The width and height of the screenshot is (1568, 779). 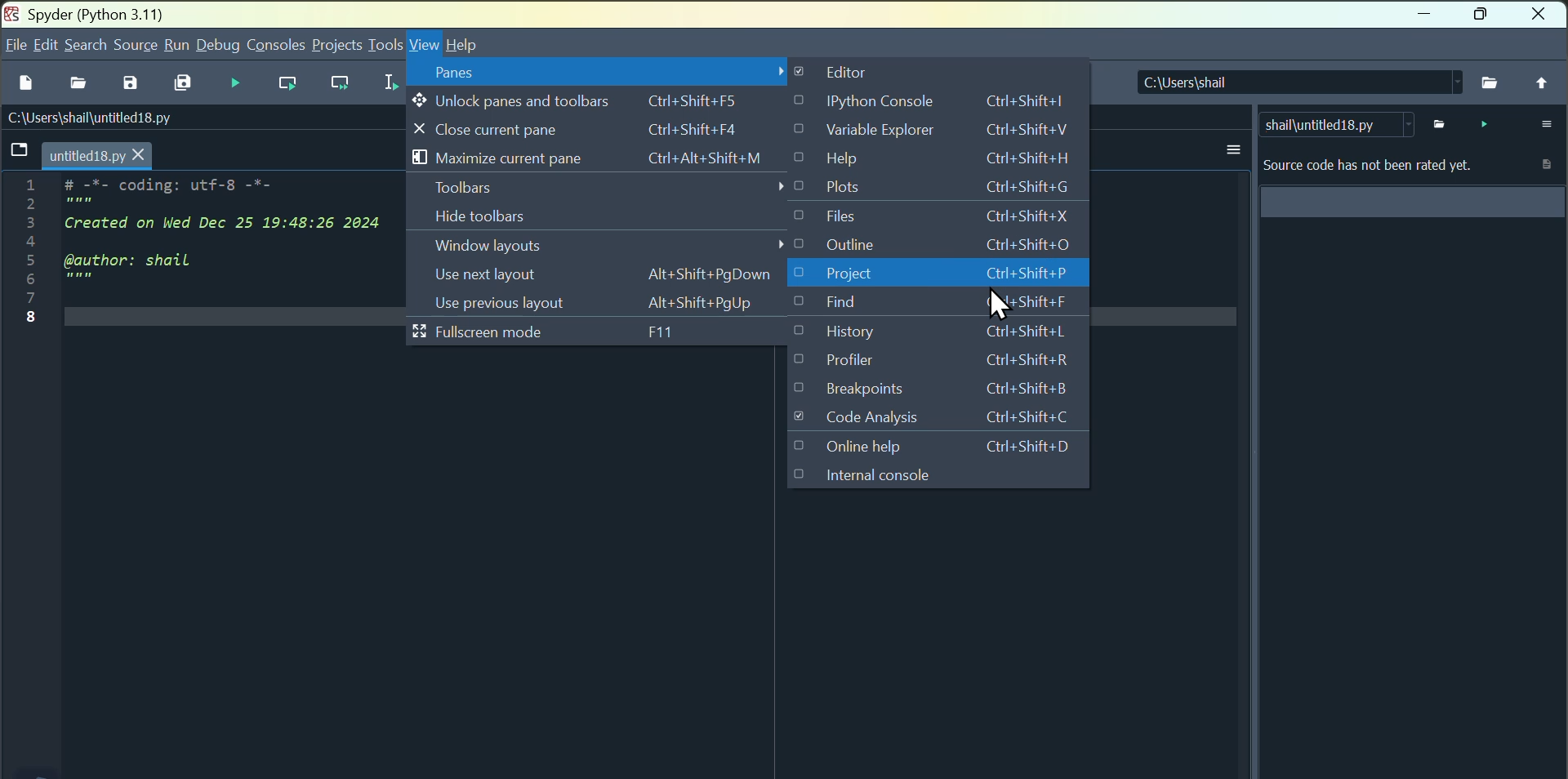 What do you see at coordinates (938, 129) in the screenshot?
I see `Variable explorer` at bounding box center [938, 129].